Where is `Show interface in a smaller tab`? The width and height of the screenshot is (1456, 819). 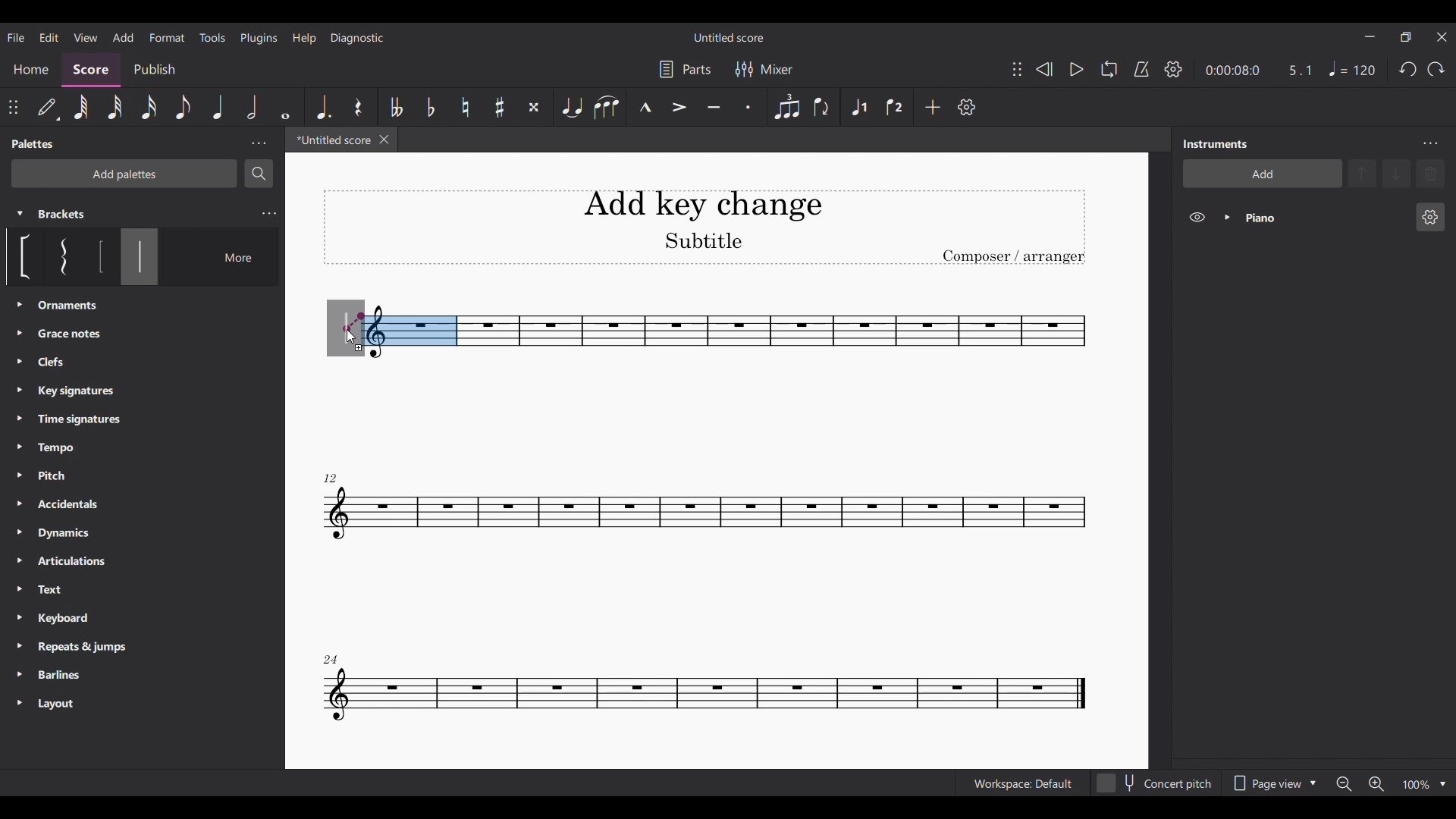 Show interface in a smaller tab is located at coordinates (1406, 37).